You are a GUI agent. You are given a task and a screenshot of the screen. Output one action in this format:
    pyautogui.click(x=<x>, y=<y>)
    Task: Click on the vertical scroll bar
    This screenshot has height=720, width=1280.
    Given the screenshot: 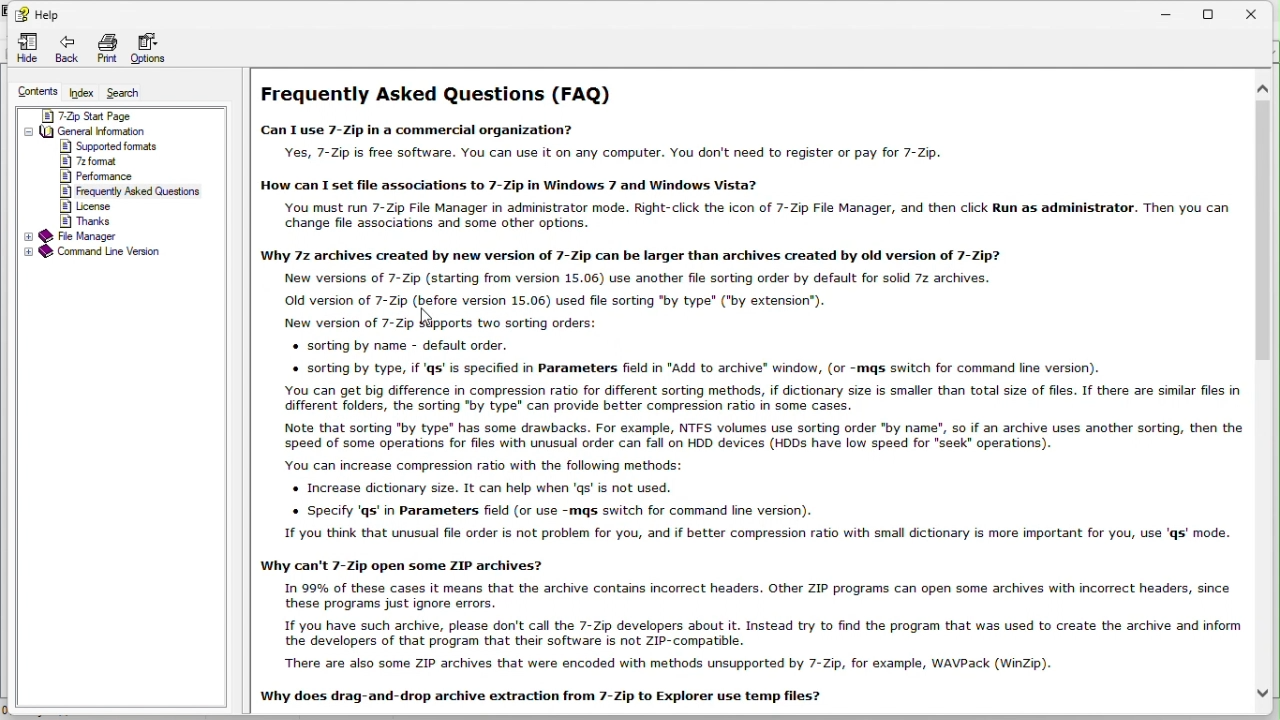 What is the action you would take?
    pyautogui.click(x=1266, y=224)
    